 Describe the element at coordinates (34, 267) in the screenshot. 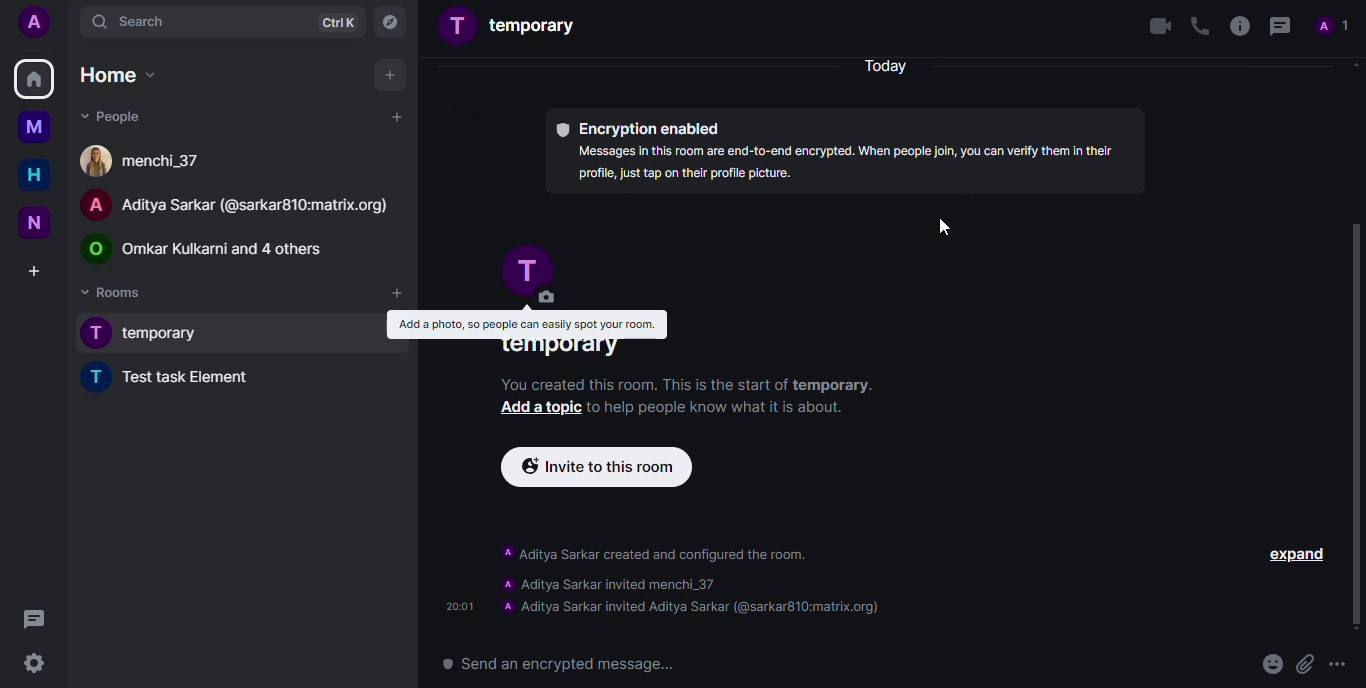

I see `create a space` at that location.